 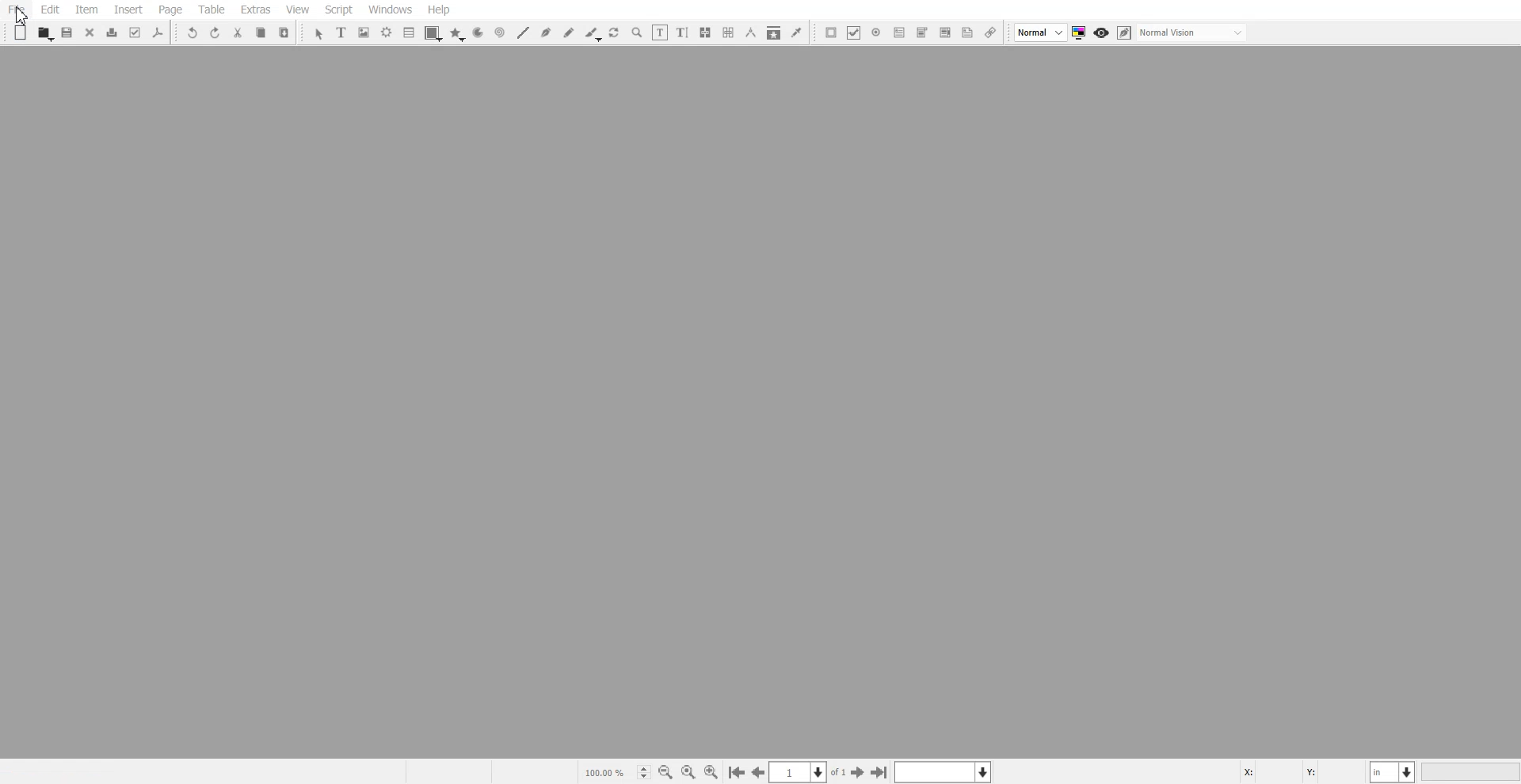 I want to click on Table, so click(x=211, y=10).